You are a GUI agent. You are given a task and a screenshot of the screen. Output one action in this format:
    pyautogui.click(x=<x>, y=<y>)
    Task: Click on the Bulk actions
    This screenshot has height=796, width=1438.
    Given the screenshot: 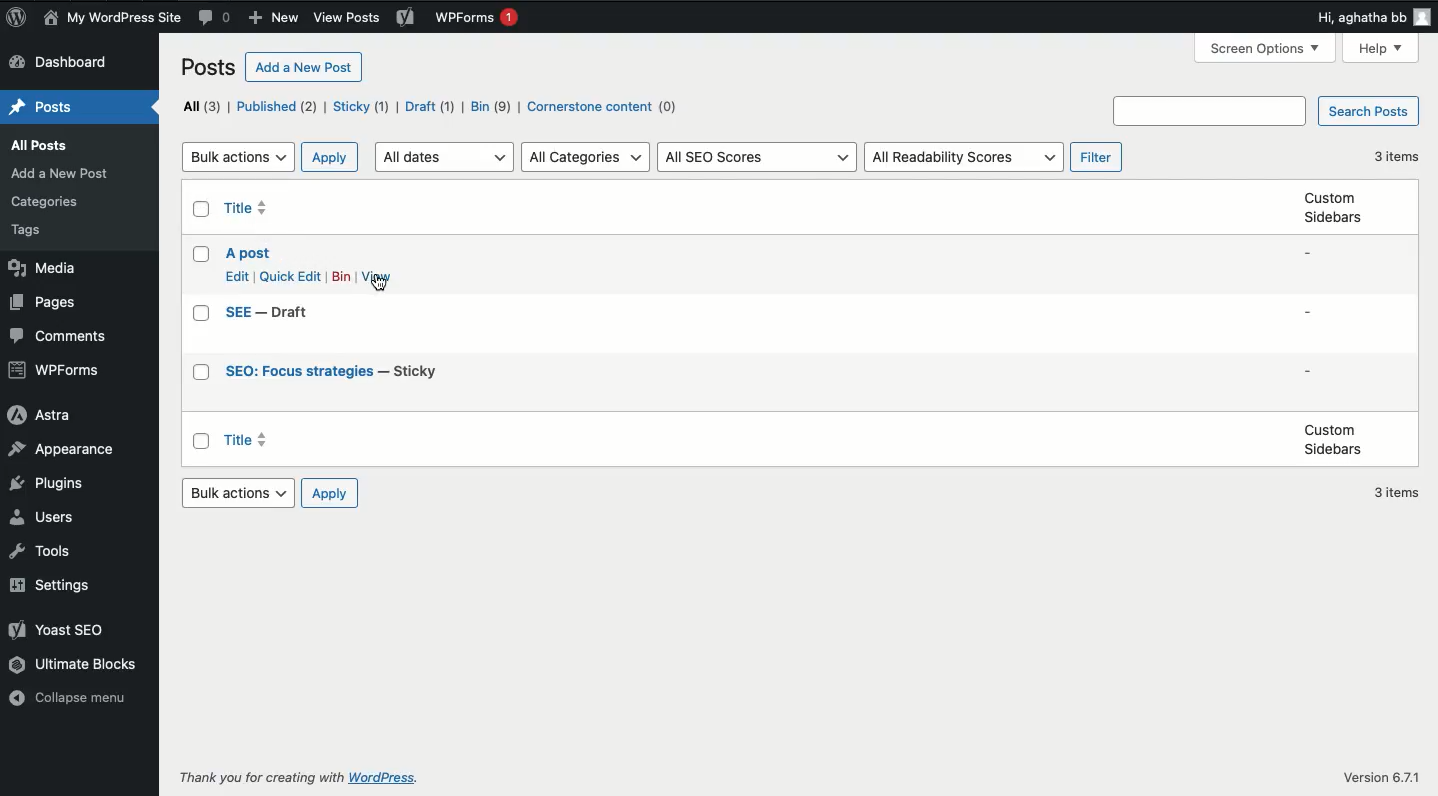 What is the action you would take?
    pyautogui.click(x=242, y=493)
    